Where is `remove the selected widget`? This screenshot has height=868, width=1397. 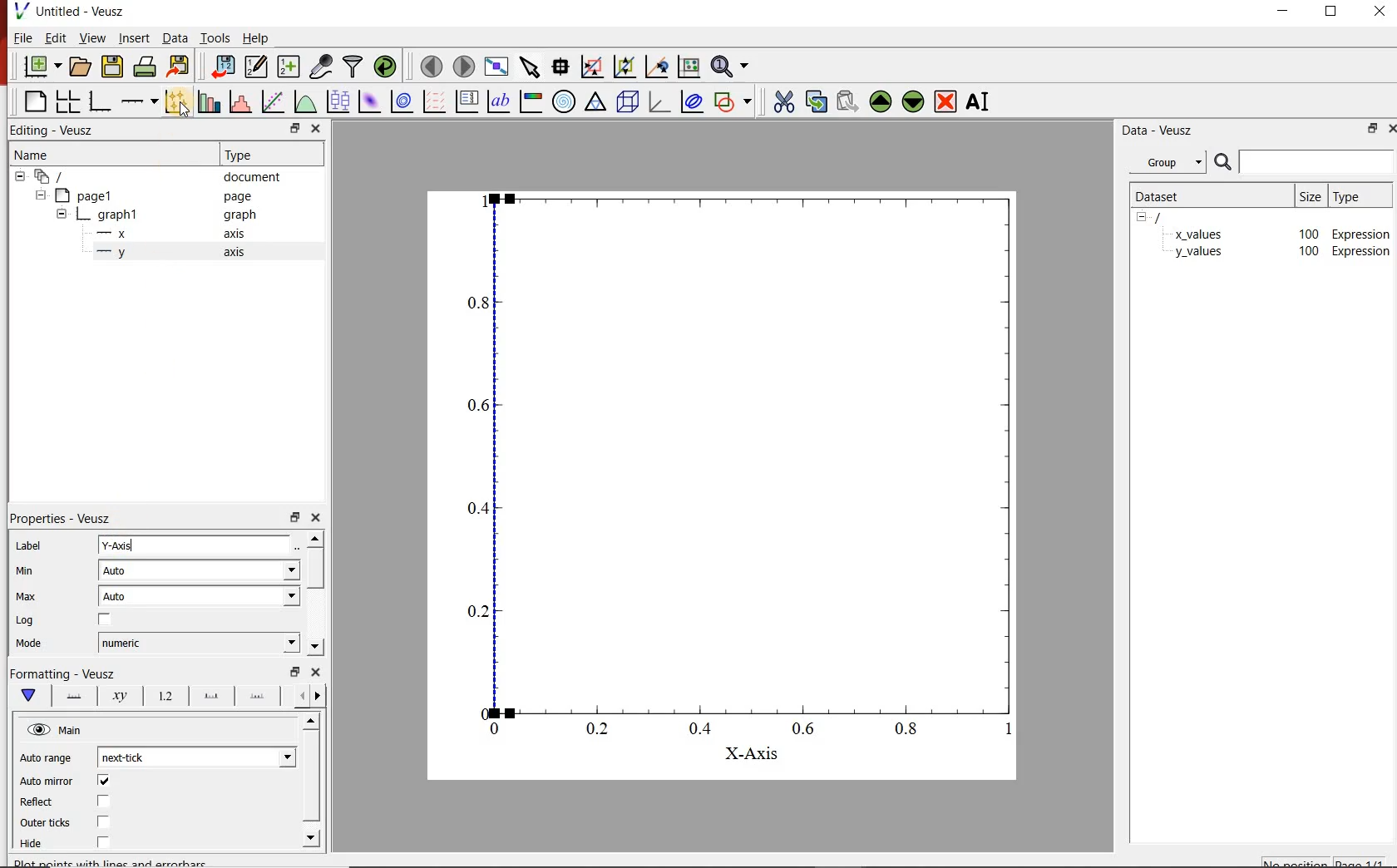
remove the selected widget is located at coordinates (945, 104).